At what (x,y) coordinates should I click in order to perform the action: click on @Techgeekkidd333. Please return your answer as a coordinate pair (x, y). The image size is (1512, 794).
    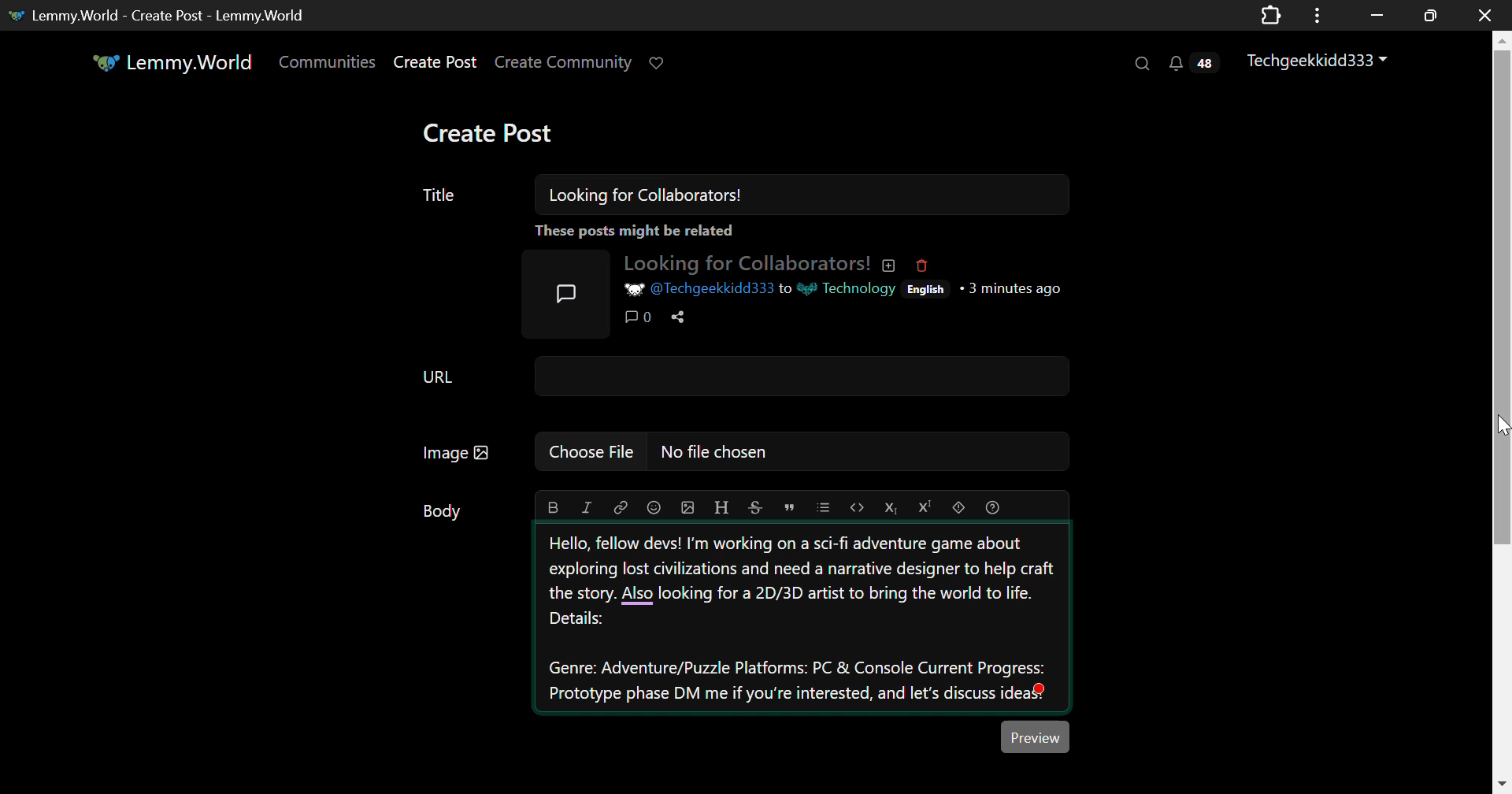
    Looking at the image, I should click on (698, 291).